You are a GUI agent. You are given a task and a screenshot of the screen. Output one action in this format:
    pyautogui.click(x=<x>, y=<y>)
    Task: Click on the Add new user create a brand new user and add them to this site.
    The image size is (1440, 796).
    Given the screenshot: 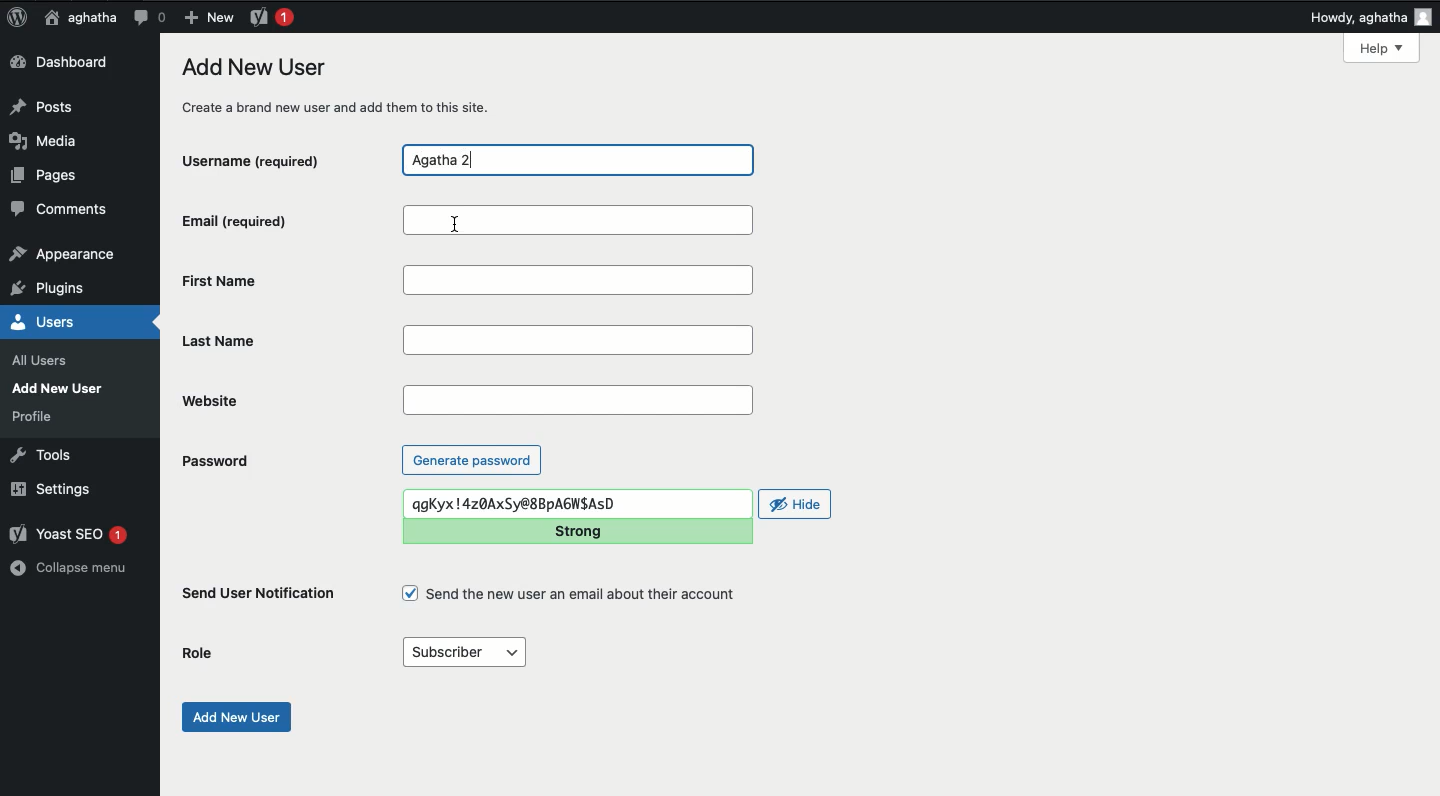 What is the action you would take?
    pyautogui.click(x=347, y=86)
    